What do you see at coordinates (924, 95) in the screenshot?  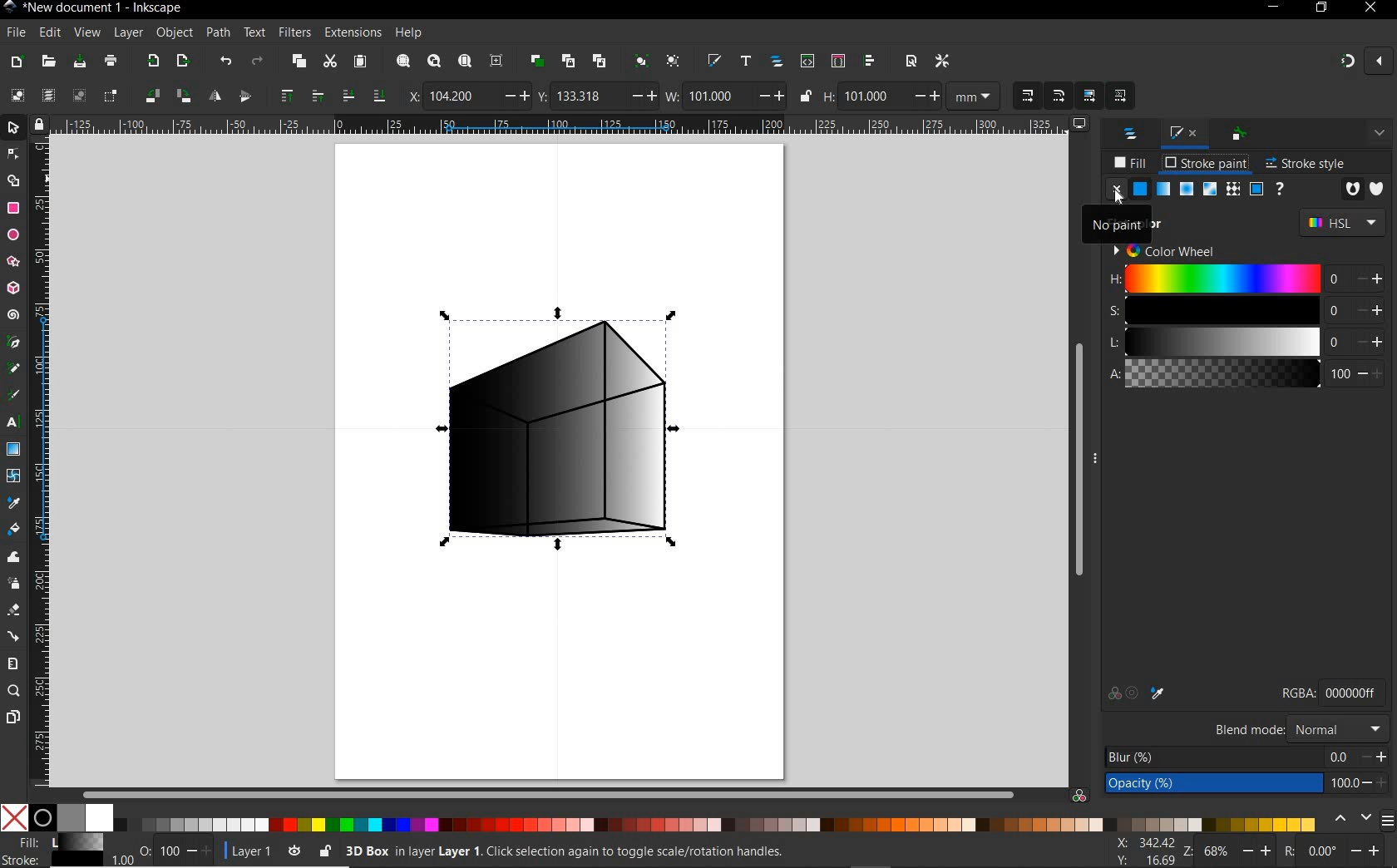 I see `increase/decrease` at bounding box center [924, 95].